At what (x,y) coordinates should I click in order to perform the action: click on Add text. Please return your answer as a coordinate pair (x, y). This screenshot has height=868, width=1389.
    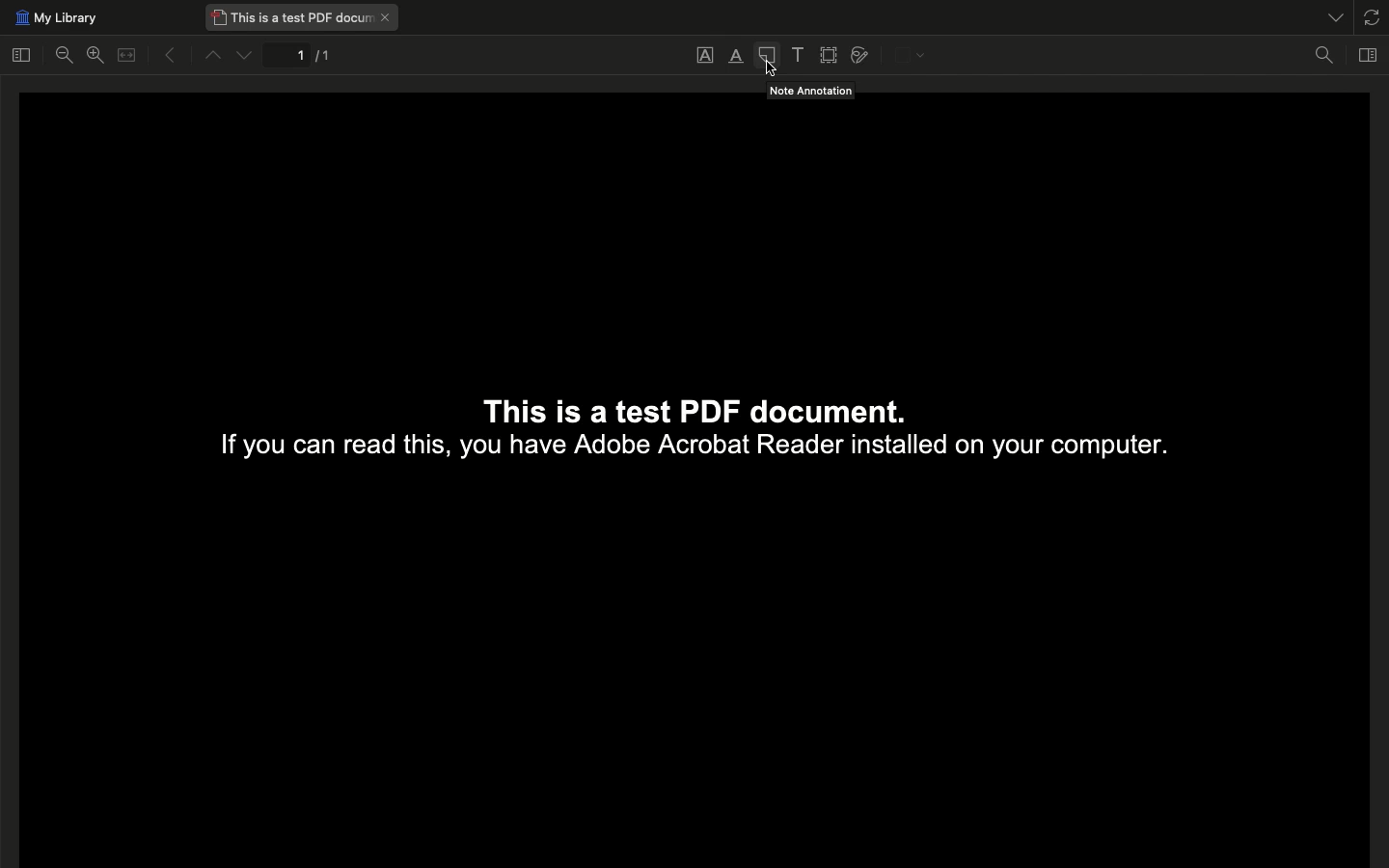
    Looking at the image, I should click on (798, 56).